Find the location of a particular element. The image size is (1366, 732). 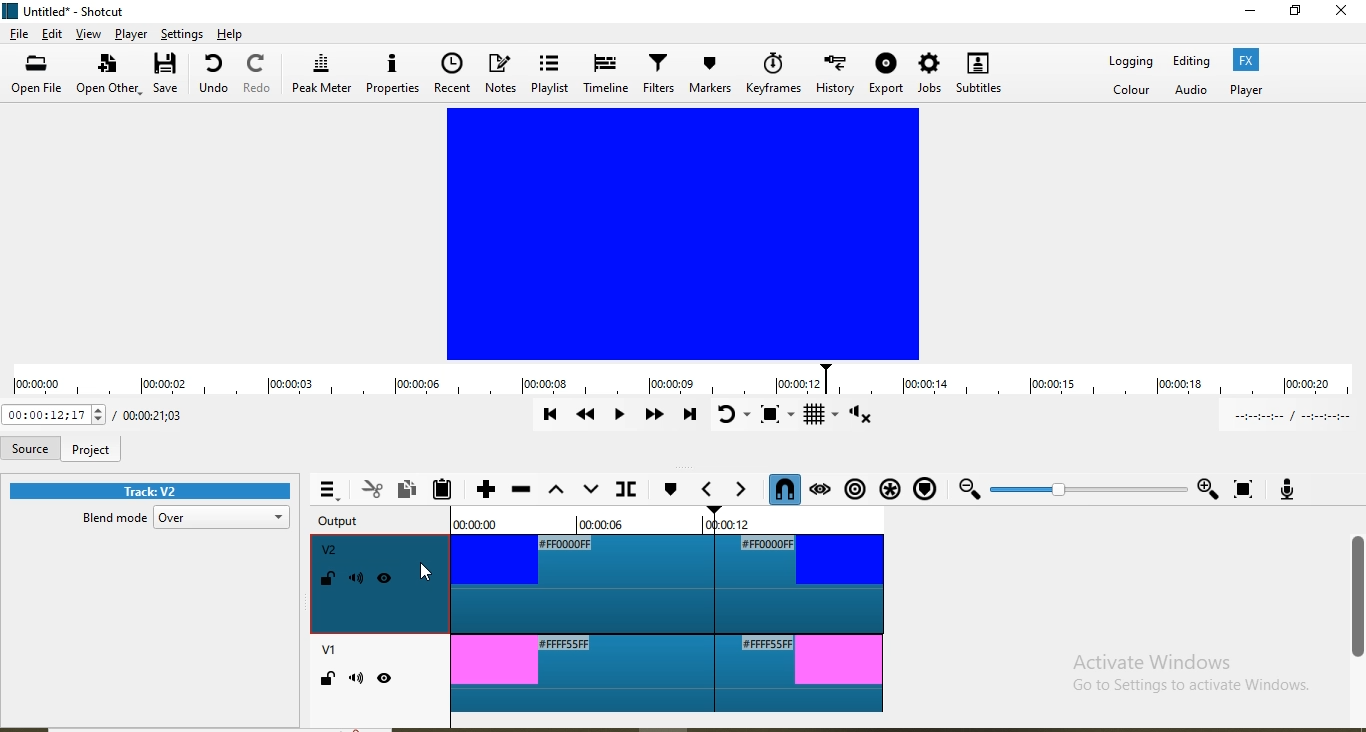

Subtitles is located at coordinates (982, 77).